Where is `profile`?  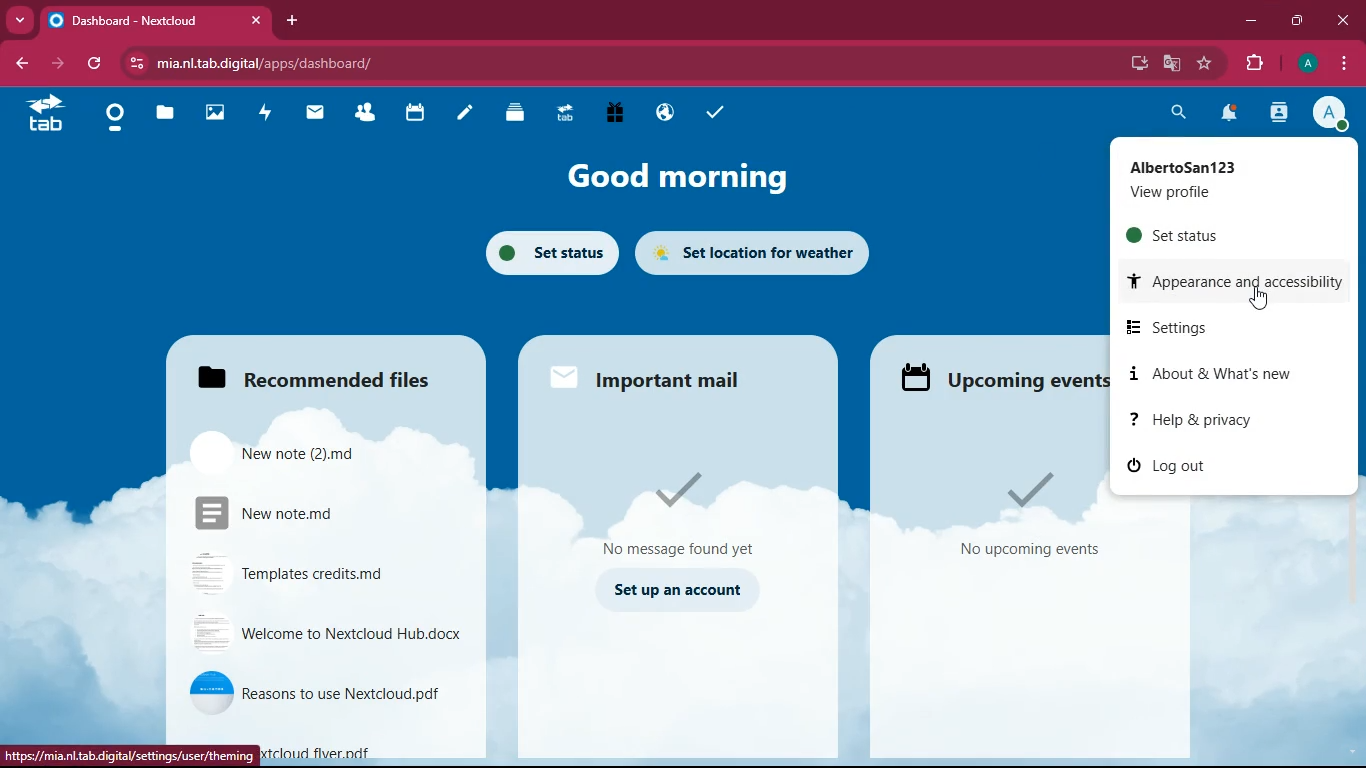
profile is located at coordinates (1223, 182).